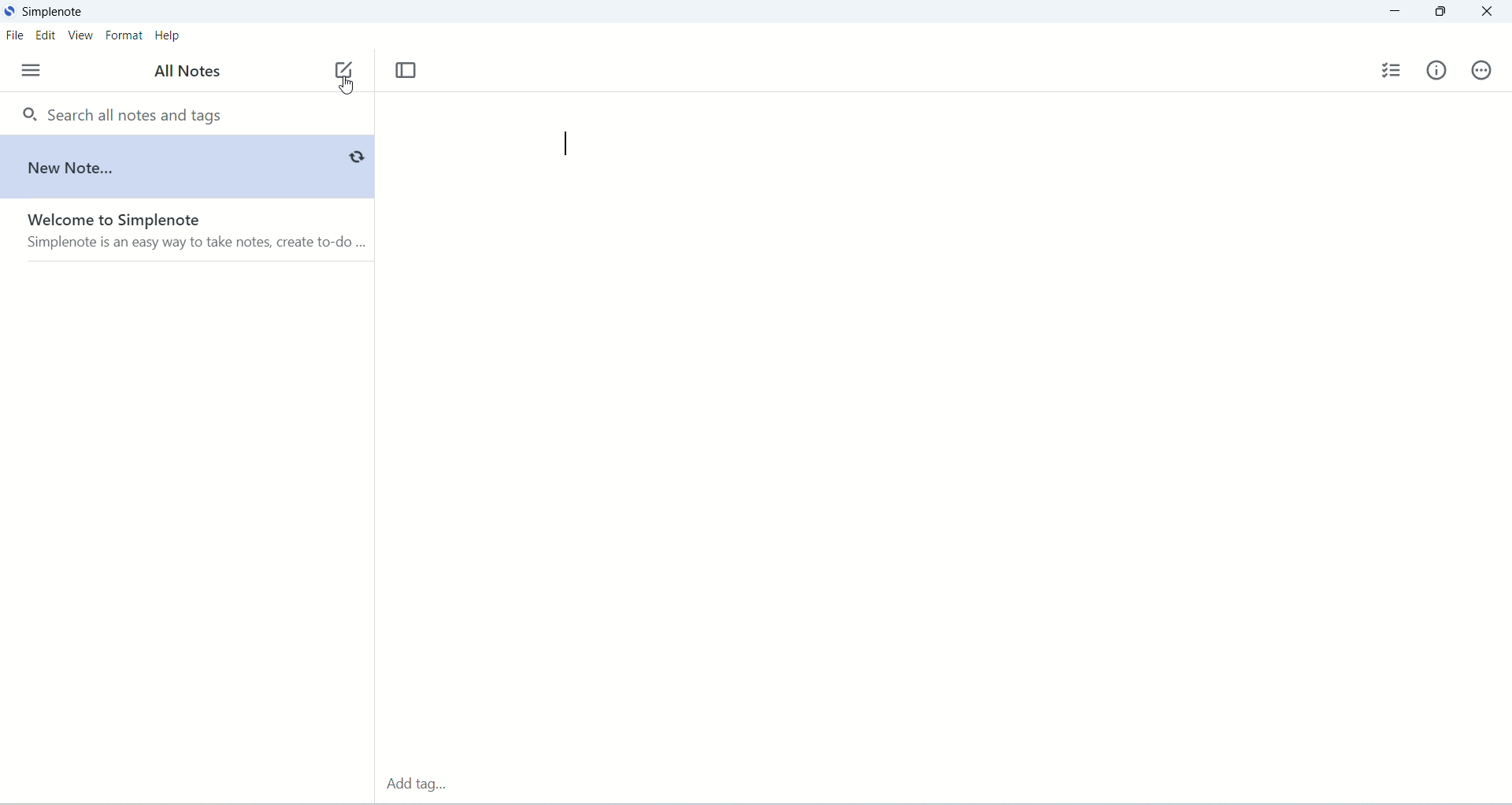 The height and width of the screenshot is (805, 1512). What do you see at coordinates (1388, 72) in the screenshot?
I see `insert checklist` at bounding box center [1388, 72].